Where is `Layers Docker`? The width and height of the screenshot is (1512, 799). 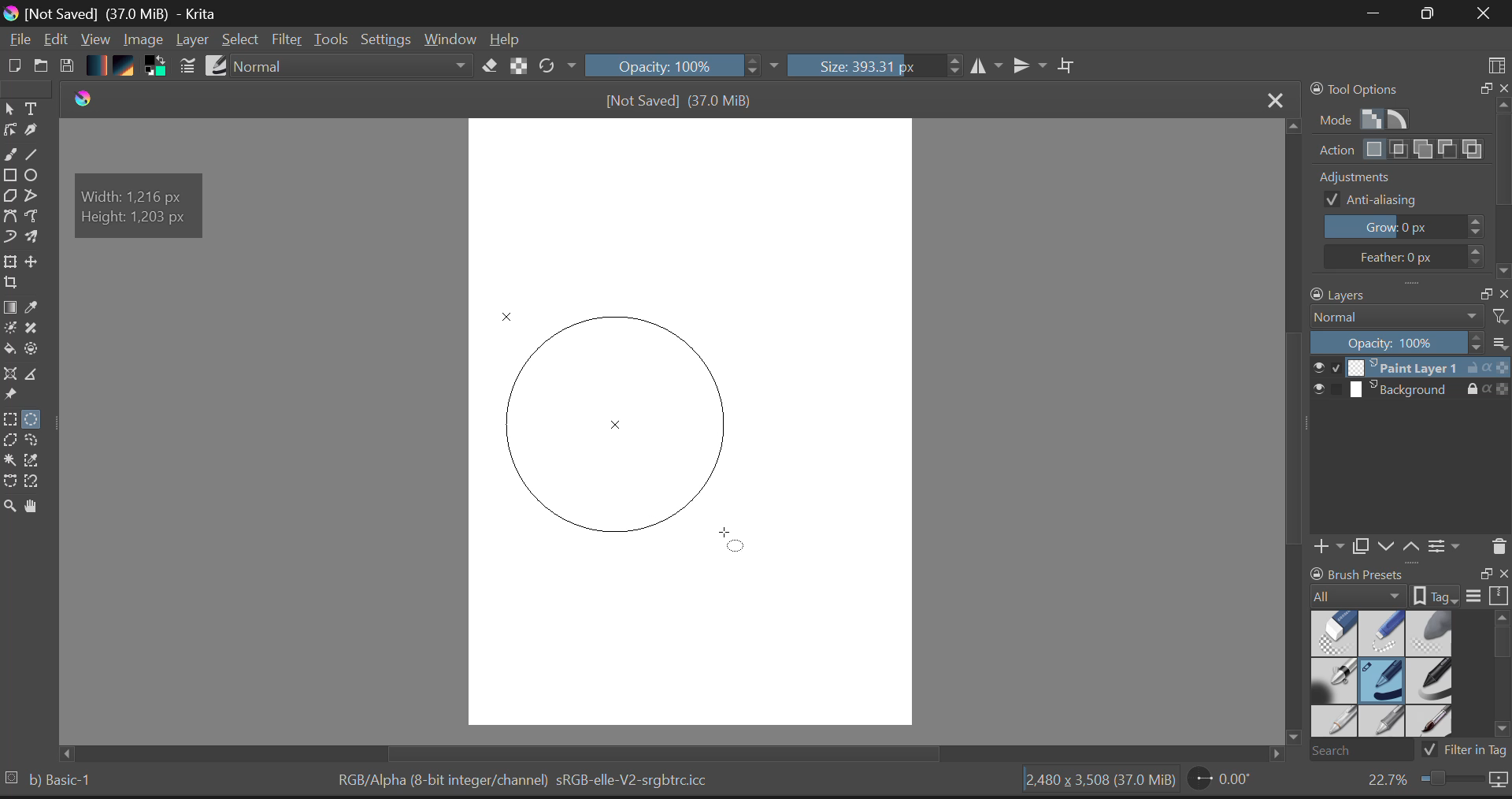
Layers Docker is located at coordinates (1403, 423).